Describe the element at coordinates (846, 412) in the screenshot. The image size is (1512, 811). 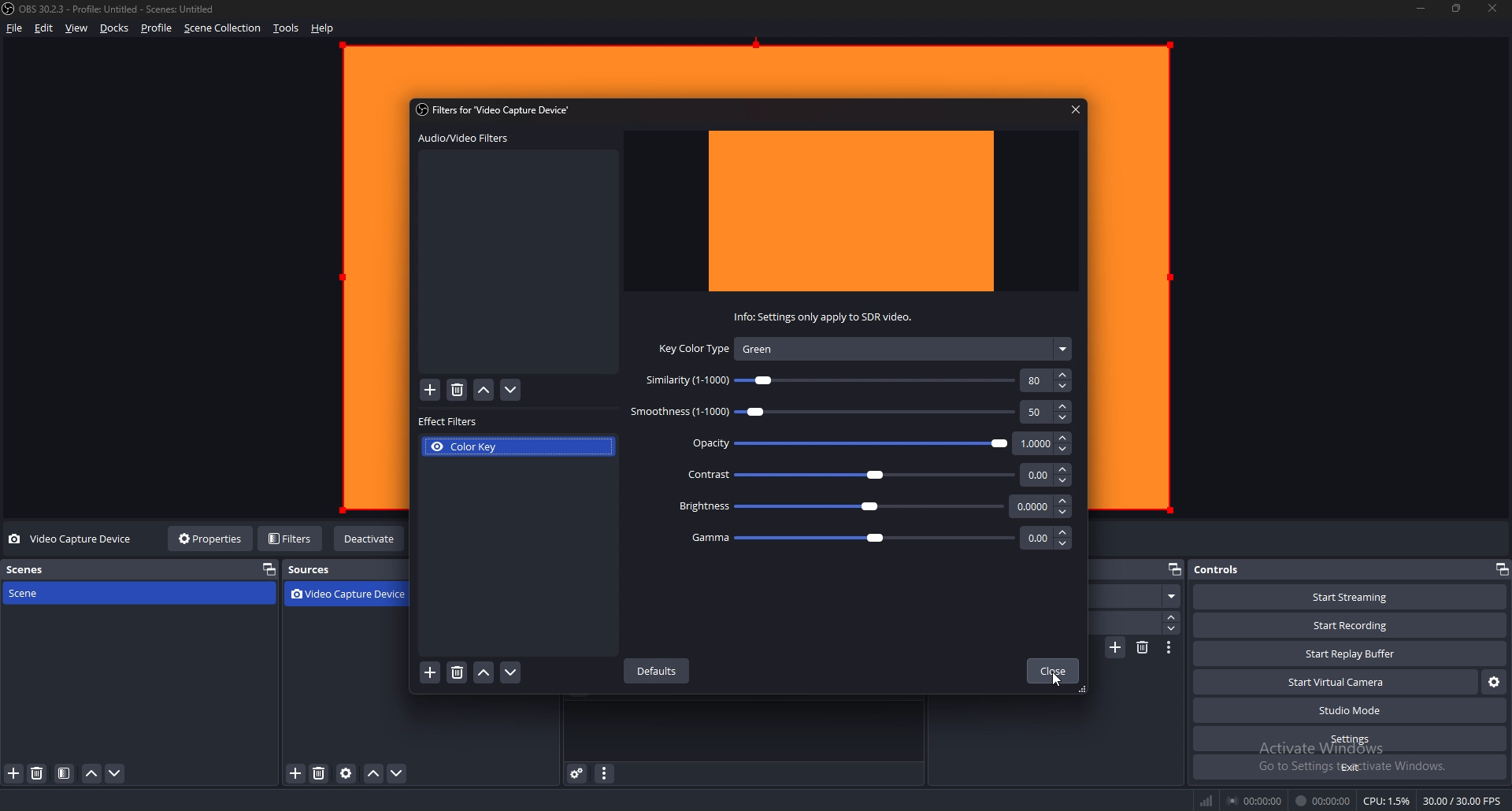
I see `smoothness` at that location.